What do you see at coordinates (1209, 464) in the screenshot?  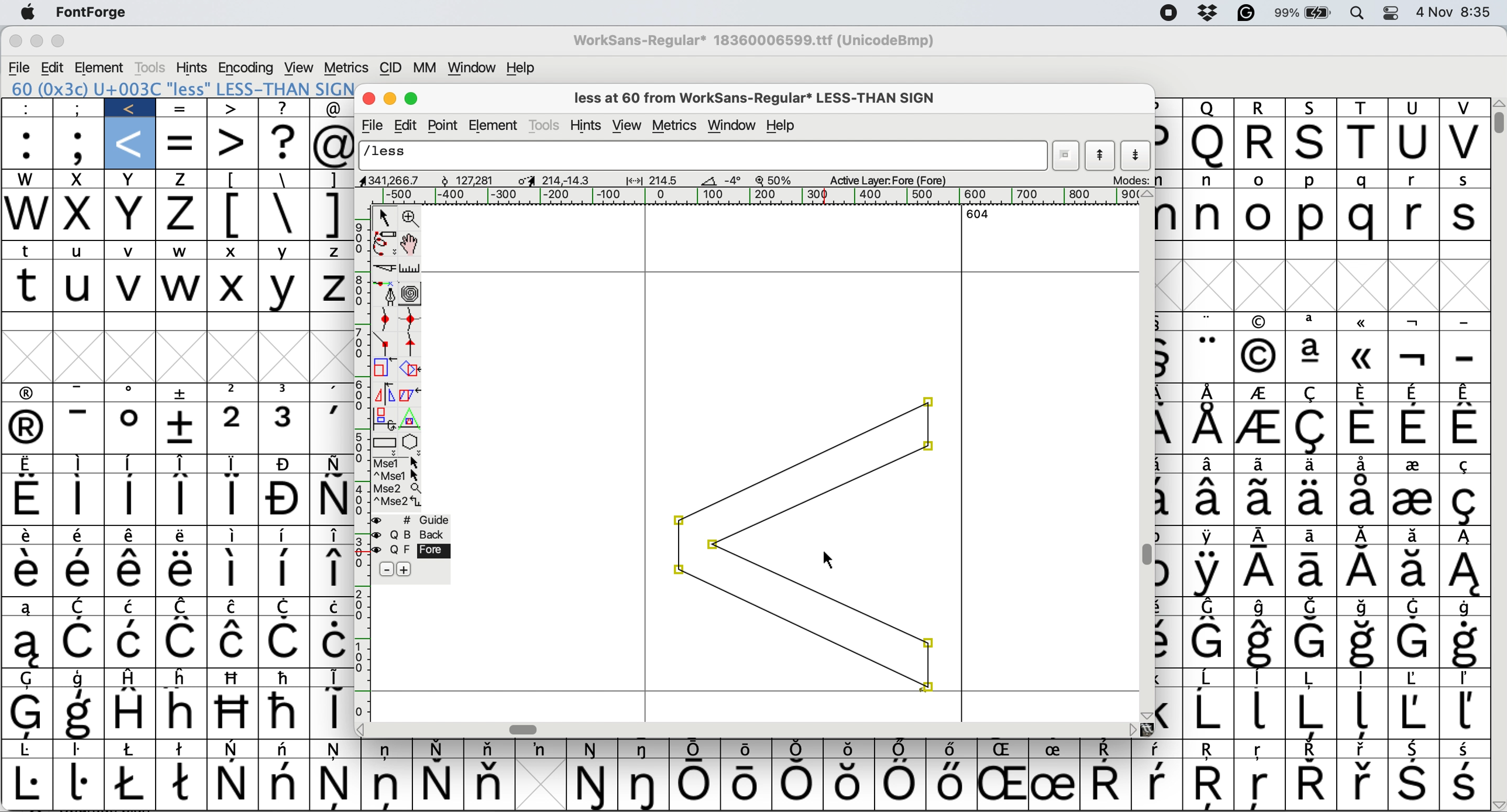 I see `Symbol` at bounding box center [1209, 464].